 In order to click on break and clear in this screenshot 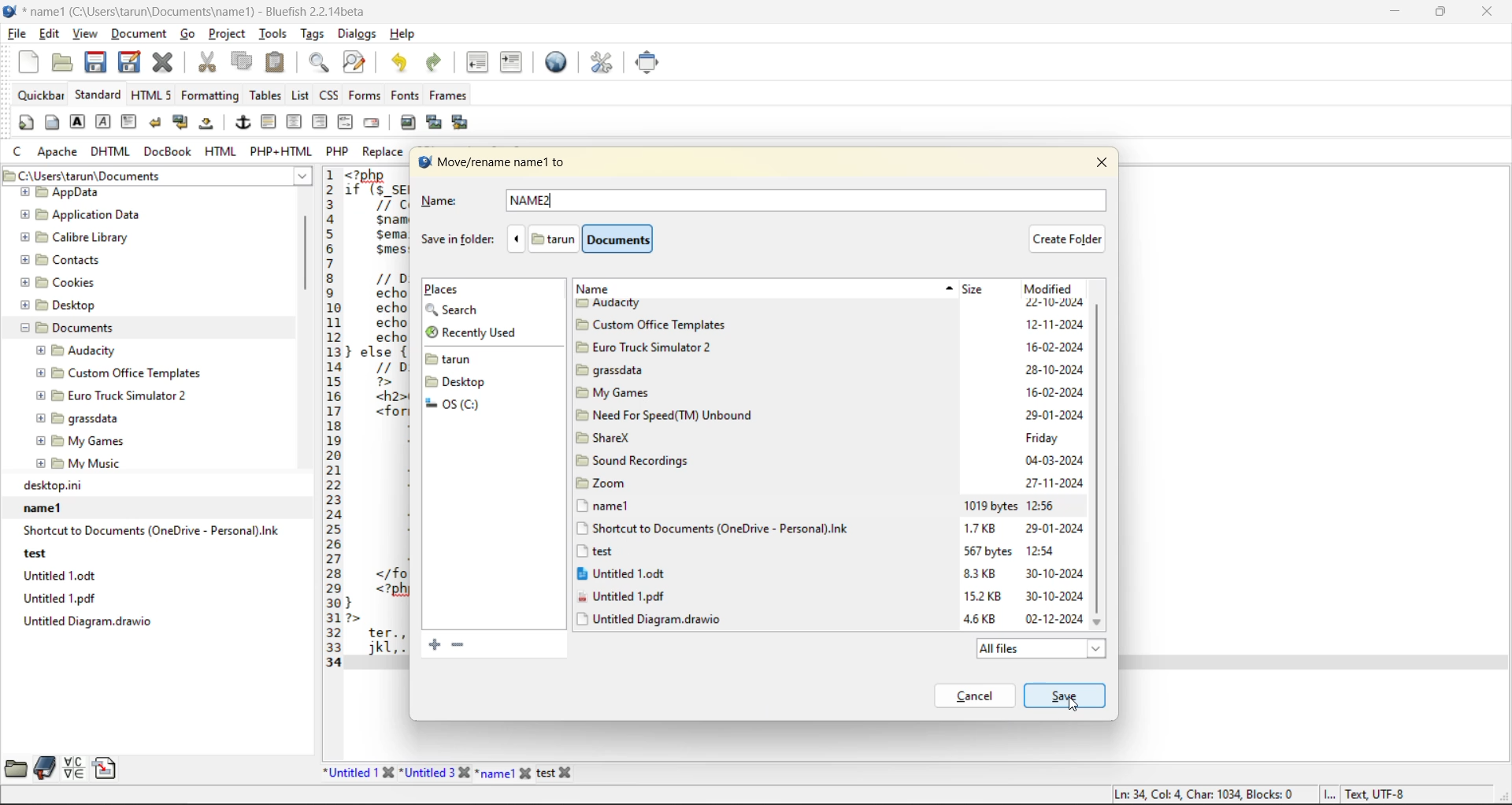, I will do `click(182, 124)`.